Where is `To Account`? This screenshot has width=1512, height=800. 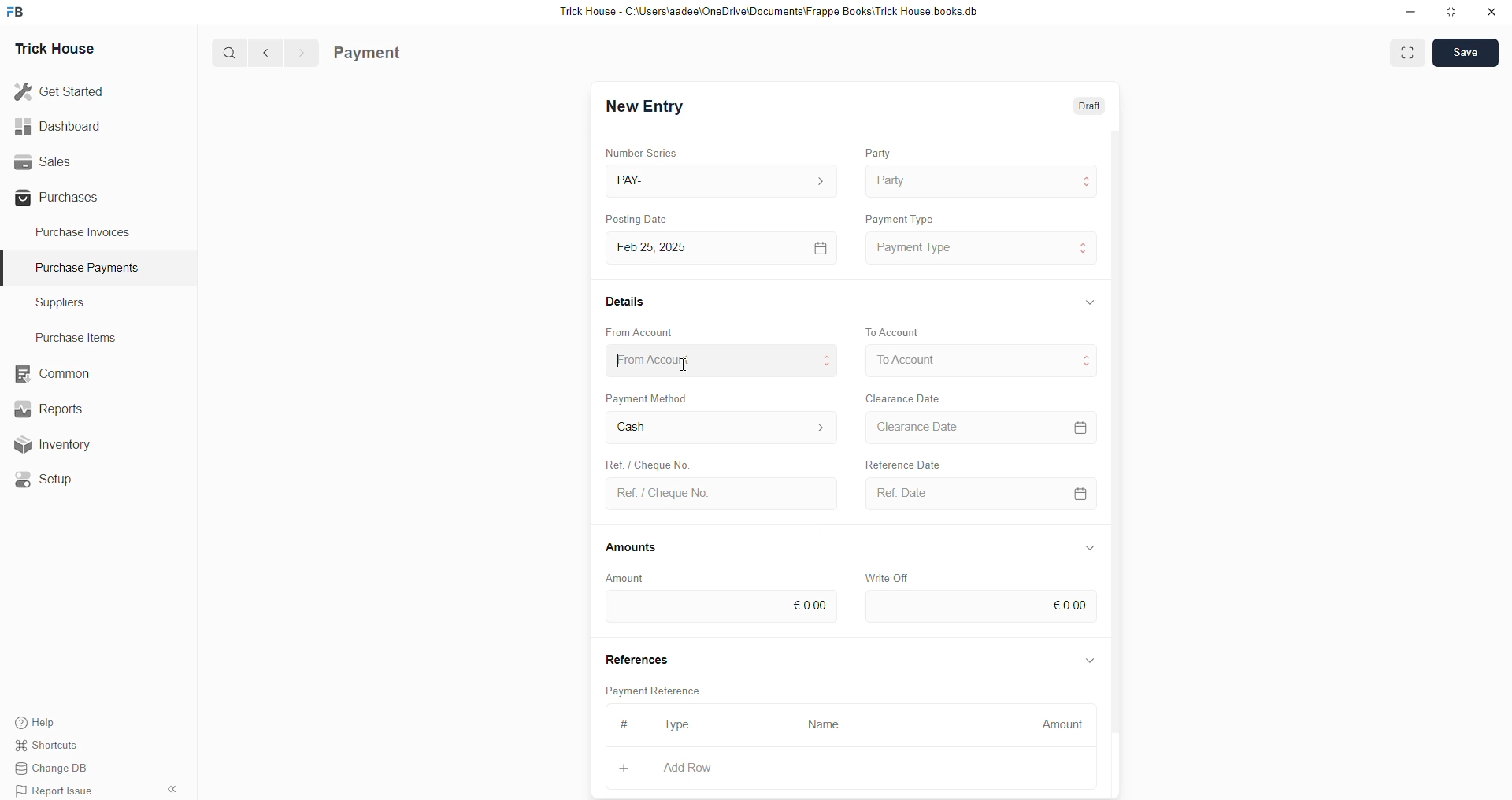 To Account is located at coordinates (907, 359).